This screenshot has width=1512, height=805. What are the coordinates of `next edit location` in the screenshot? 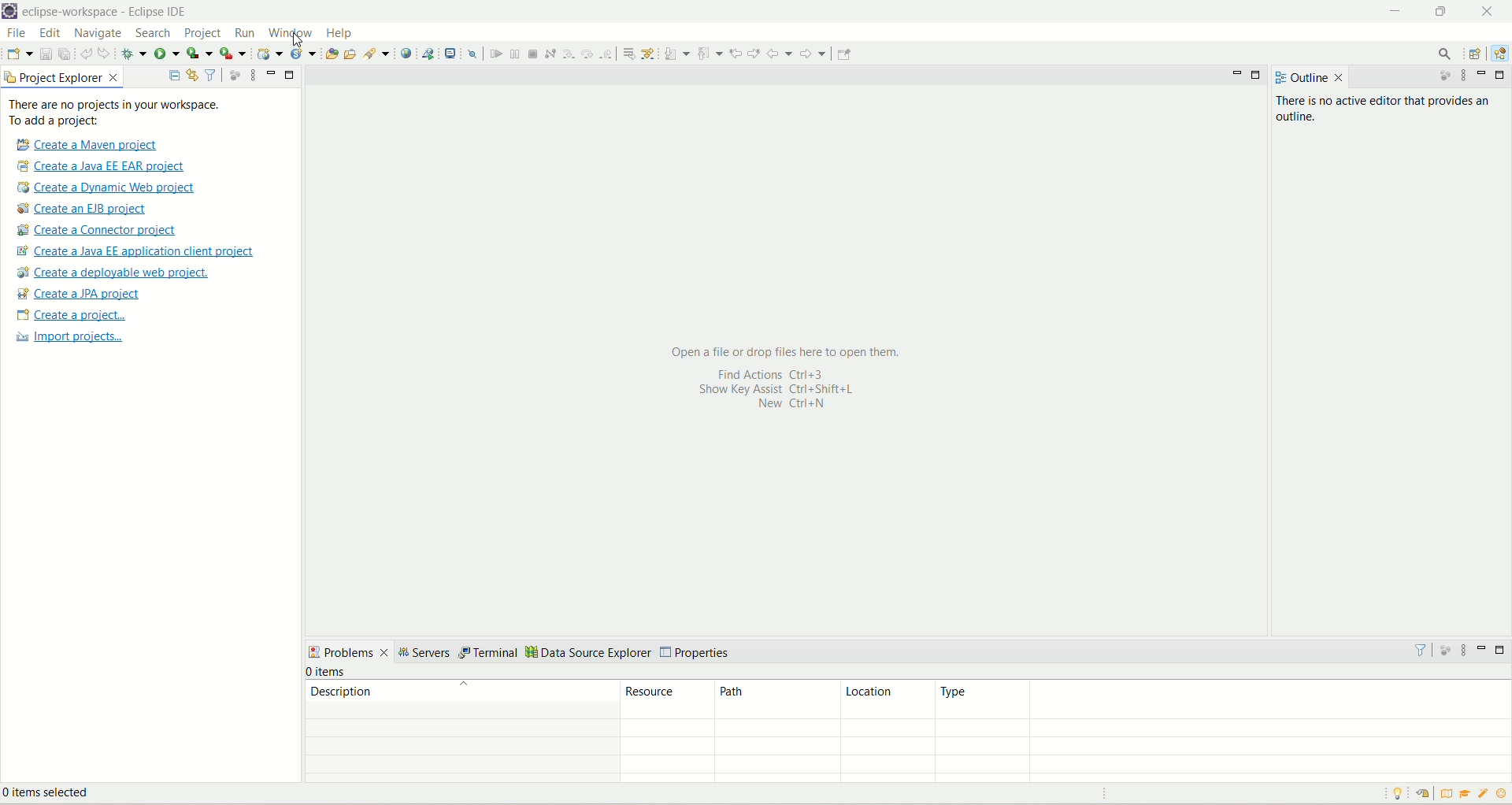 It's located at (754, 51).